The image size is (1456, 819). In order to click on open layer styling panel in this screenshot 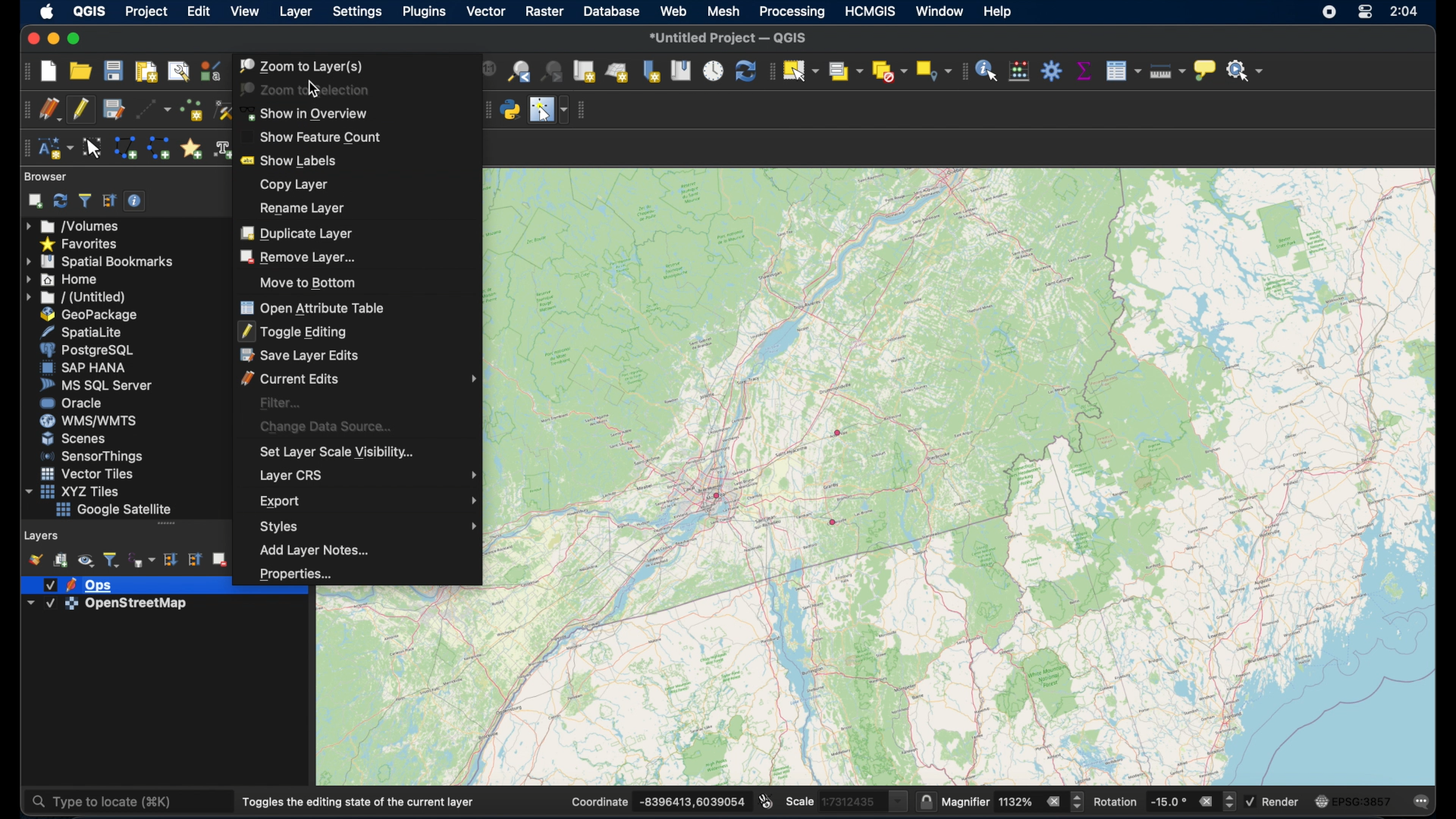, I will do `click(35, 559)`.